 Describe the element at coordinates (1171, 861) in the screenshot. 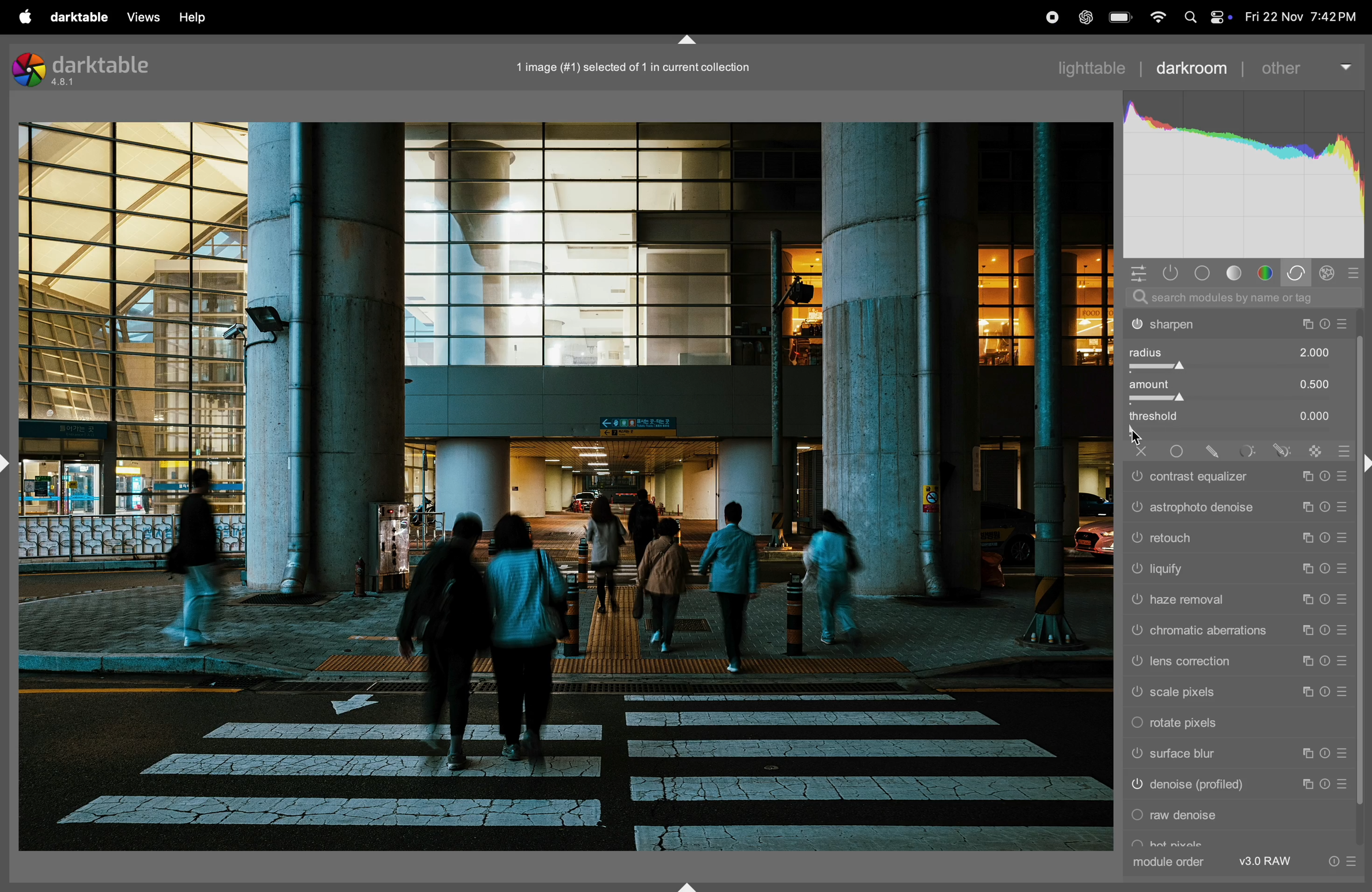

I see `module order` at that location.